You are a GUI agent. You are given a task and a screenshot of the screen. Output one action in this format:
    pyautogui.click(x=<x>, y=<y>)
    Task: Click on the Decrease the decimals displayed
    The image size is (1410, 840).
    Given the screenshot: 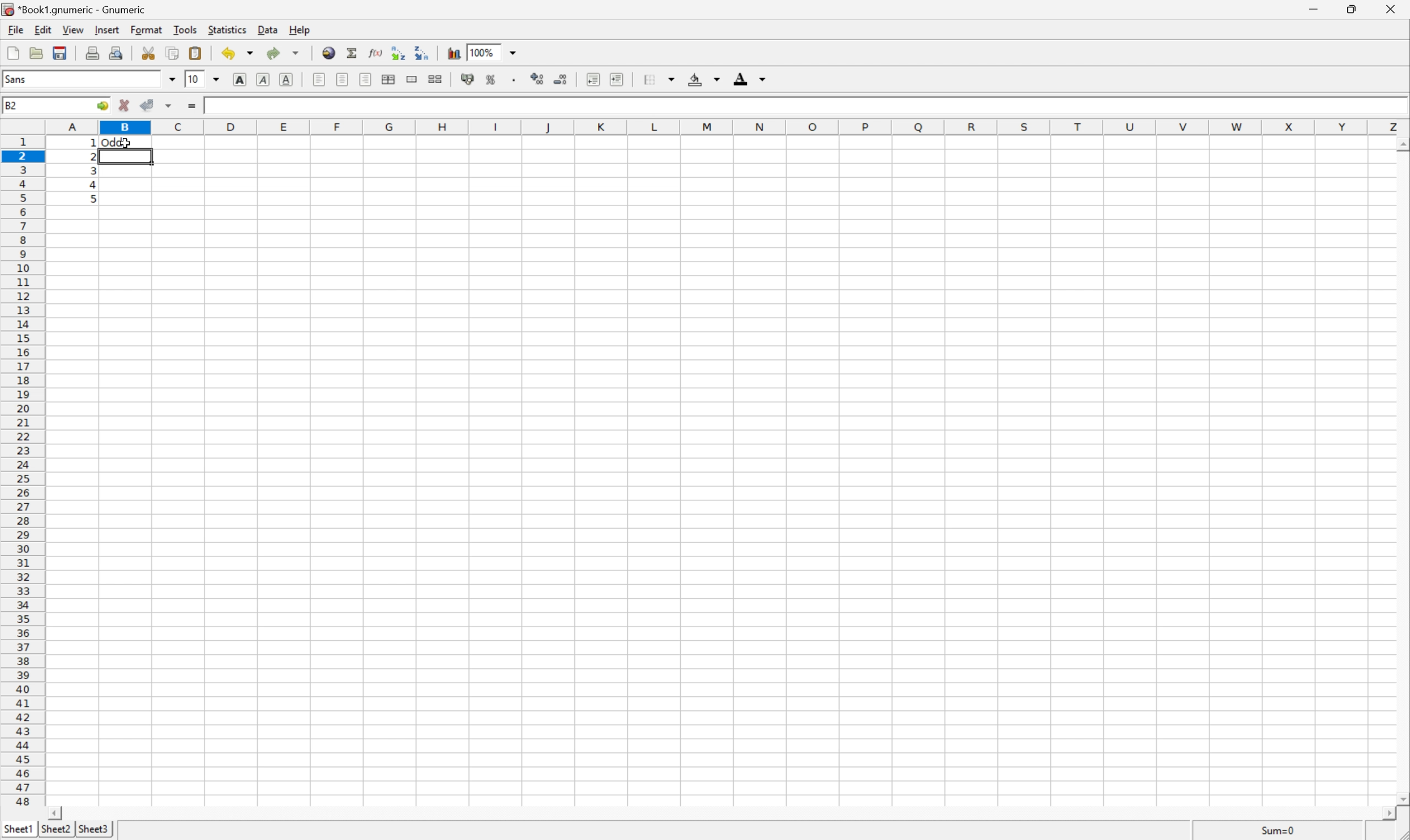 What is the action you would take?
    pyautogui.click(x=562, y=78)
    